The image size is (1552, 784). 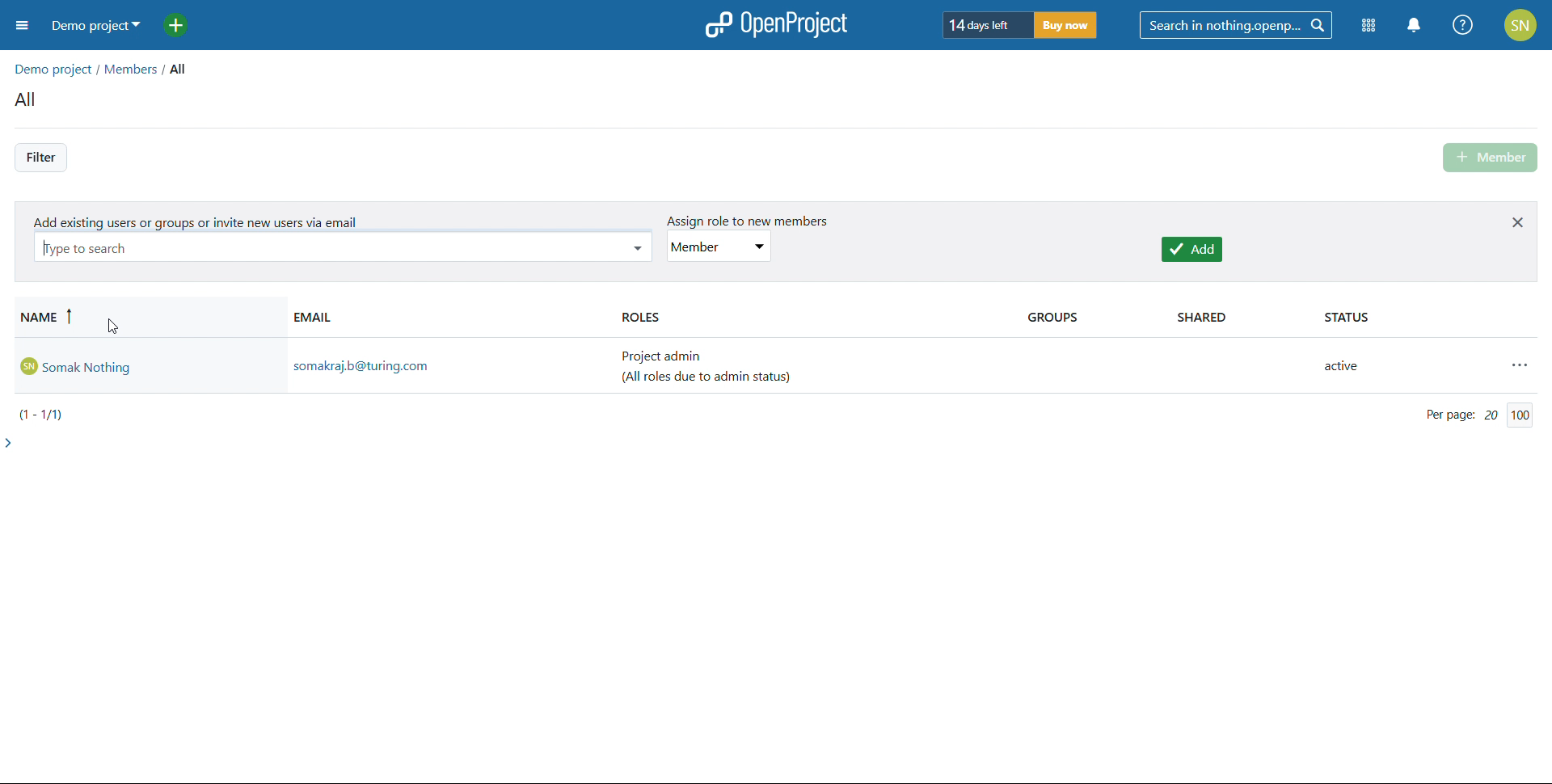 I want to click on sort by name, so click(x=149, y=318).